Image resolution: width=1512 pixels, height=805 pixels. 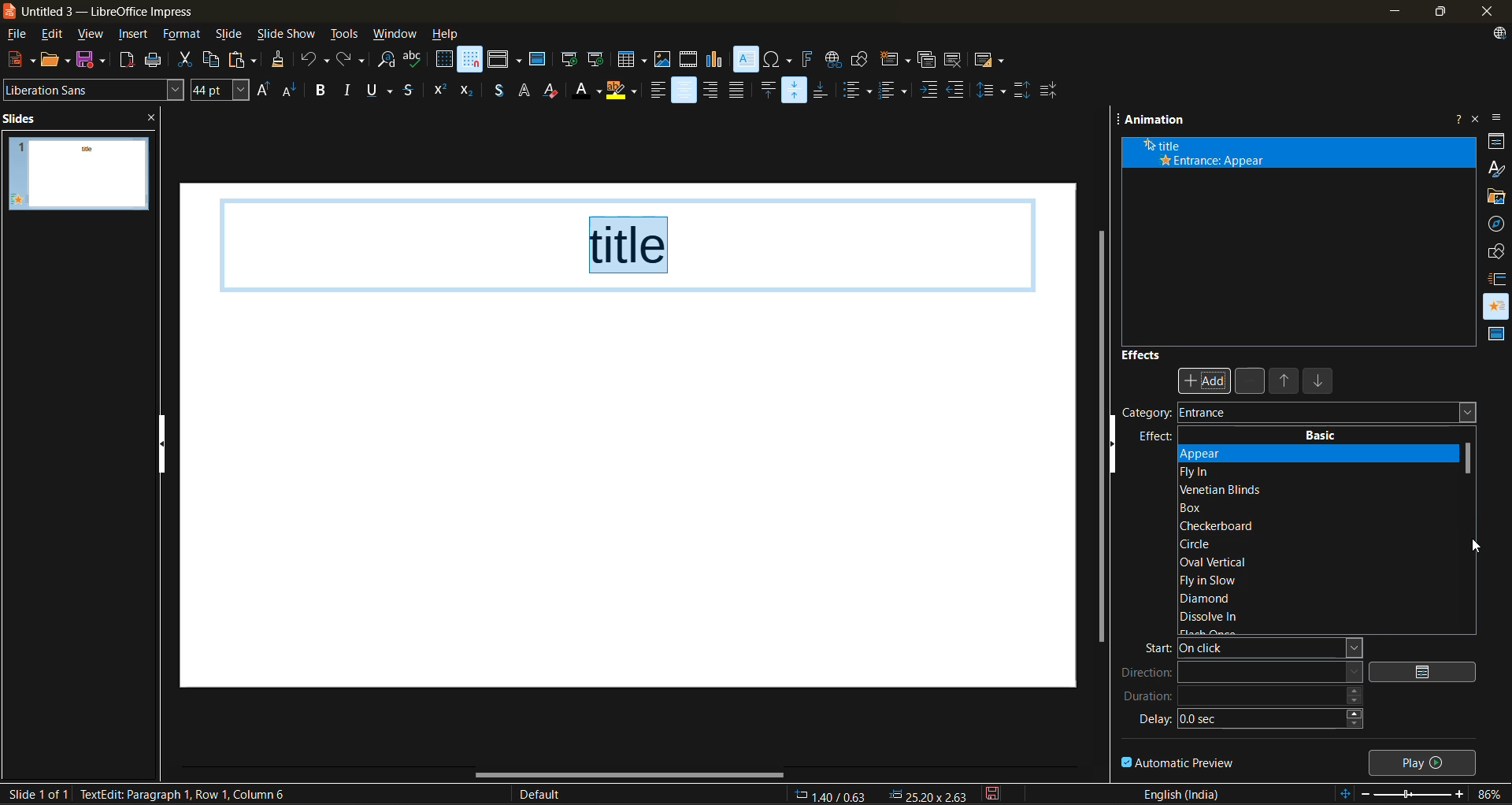 What do you see at coordinates (1173, 414) in the screenshot?
I see `company` at bounding box center [1173, 414].